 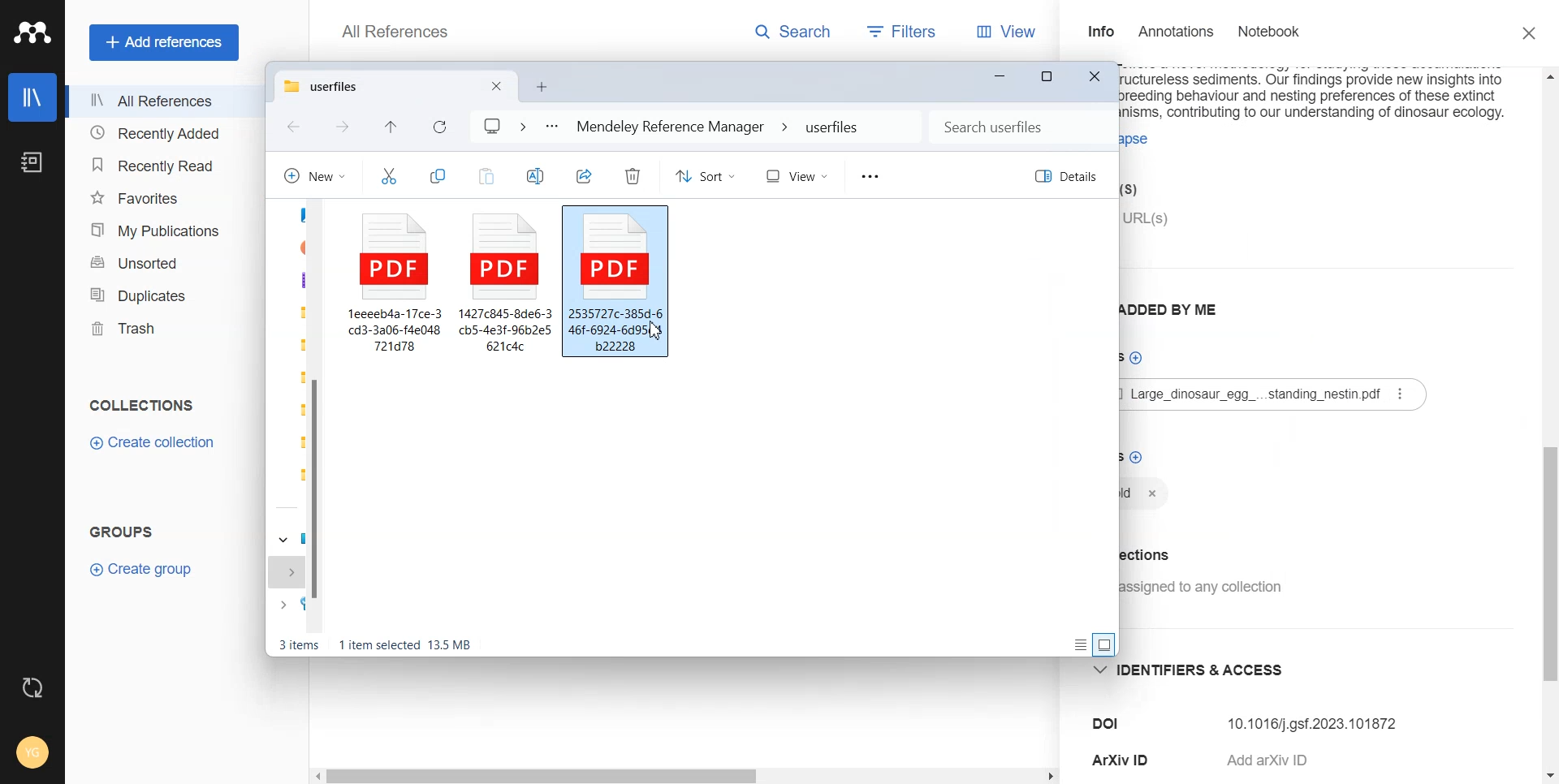 I want to click on Rename, so click(x=537, y=176).